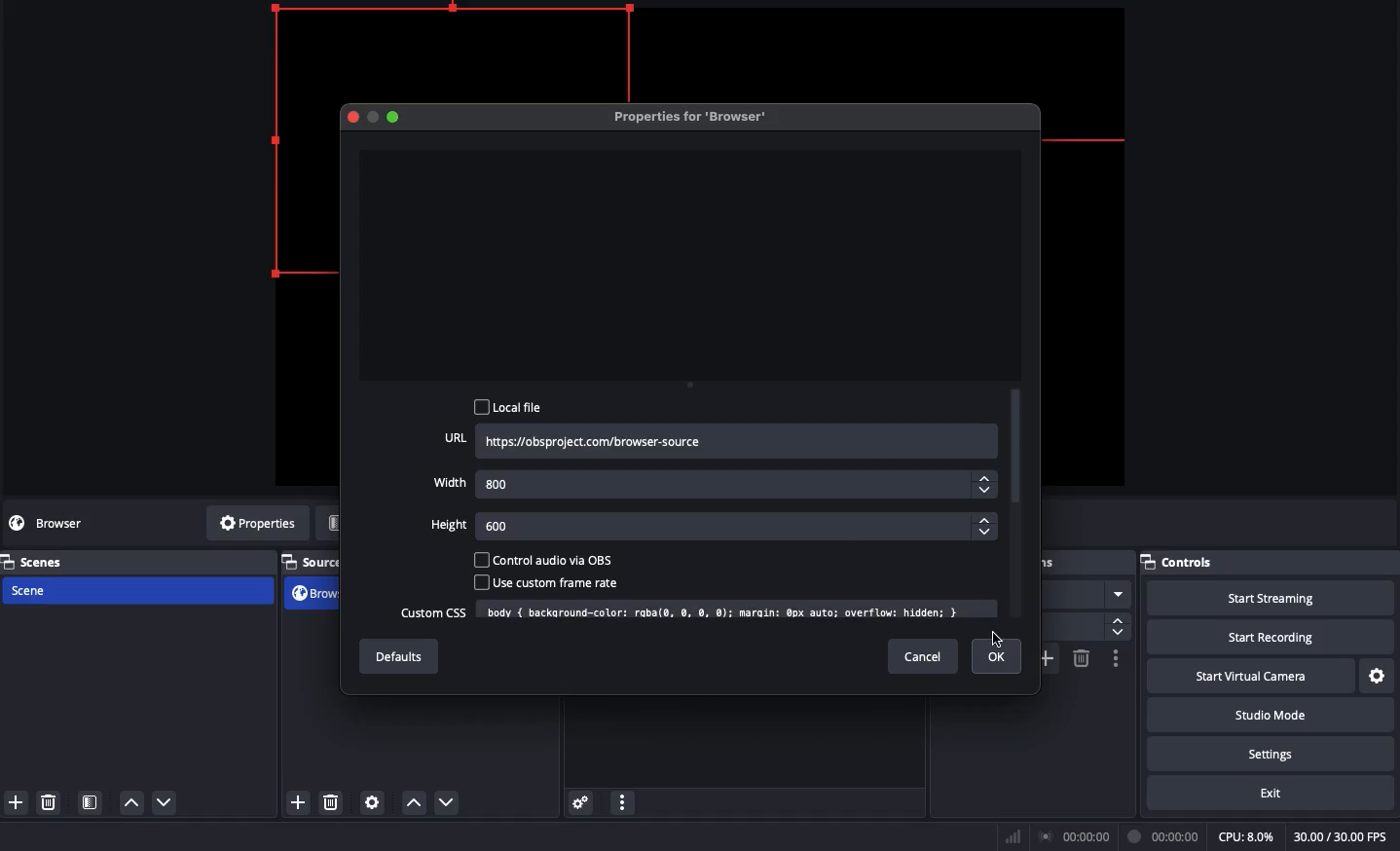 Image resolution: width=1400 pixels, height=851 pixels. Describe the element at coordinates (1254, 674) in the screenshot. I see `Start virtual camera` at that location.